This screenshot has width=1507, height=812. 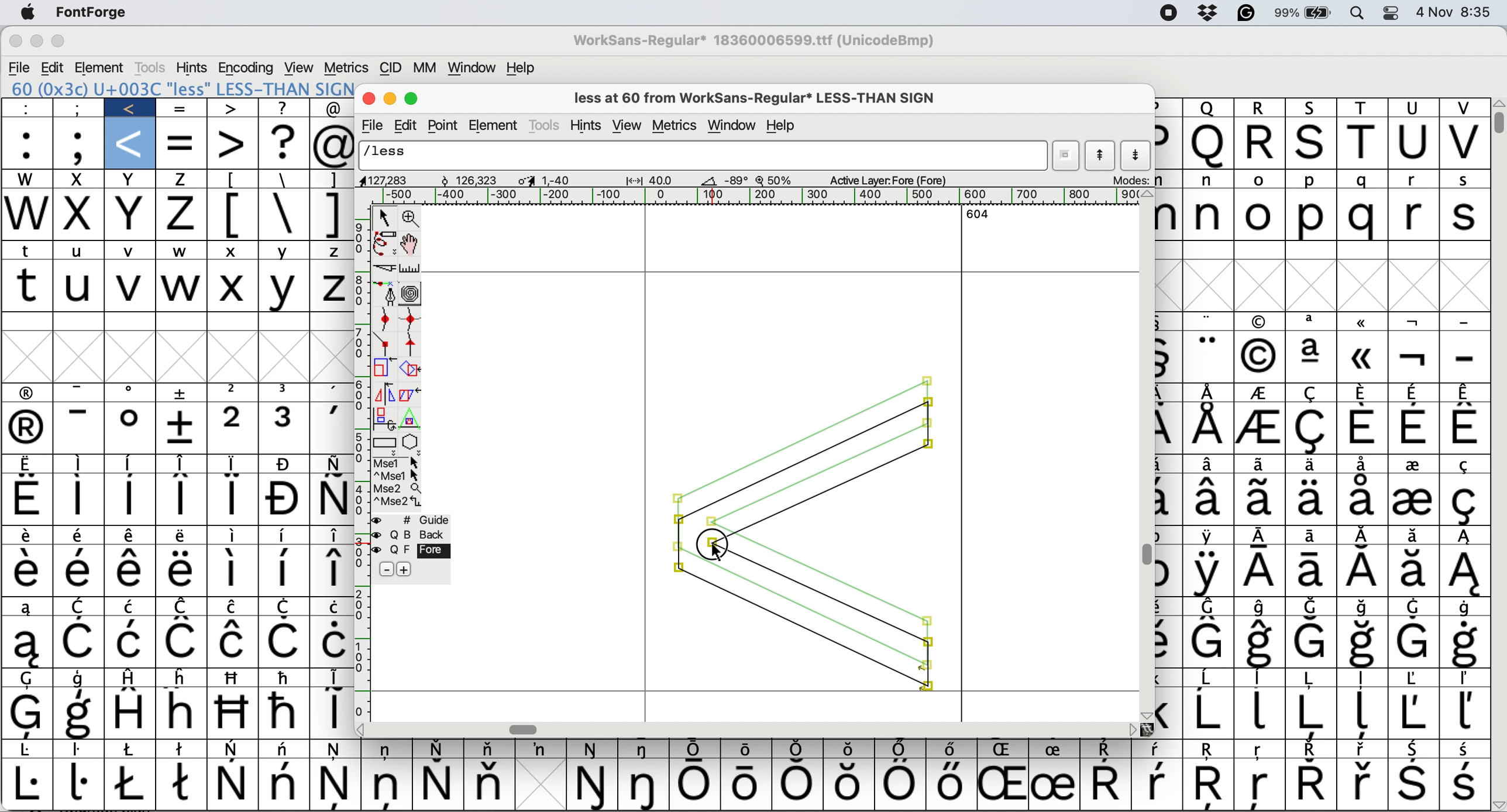 I want to click on p, so click(x=1169, y=144).